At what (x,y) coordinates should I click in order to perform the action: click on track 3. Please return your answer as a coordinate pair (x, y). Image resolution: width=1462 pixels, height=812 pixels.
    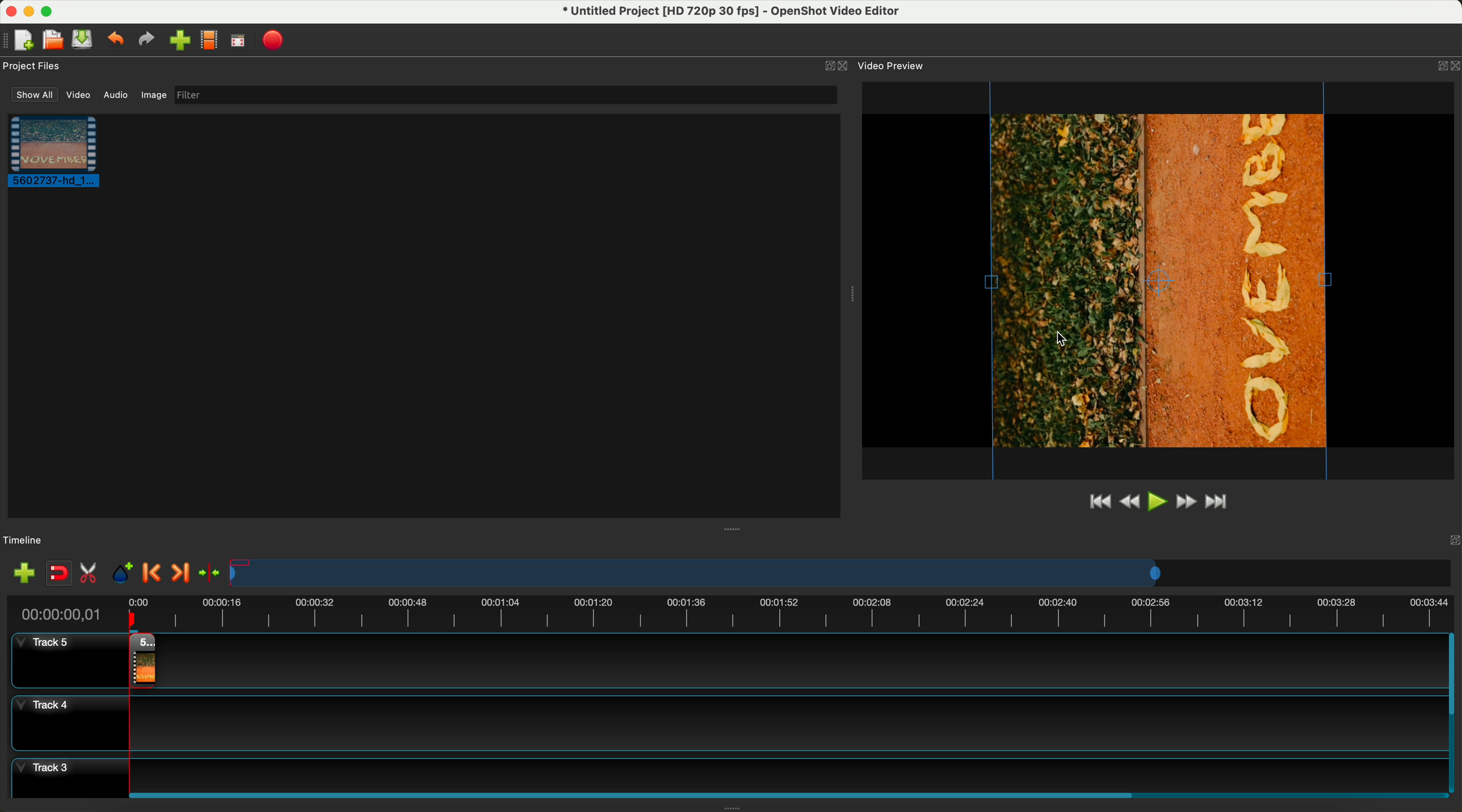
    Looking at the image, I should click on (725, 772).